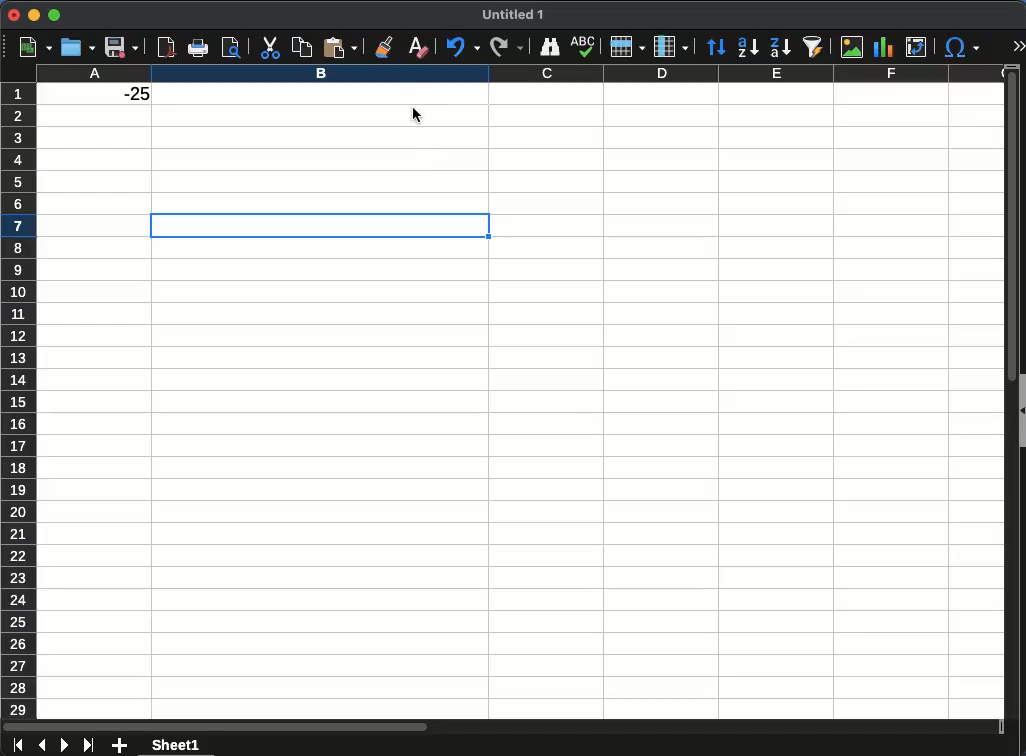  Describe the element at coordinates (89, 745) in the screenshot. I see `last sheet` at that location.